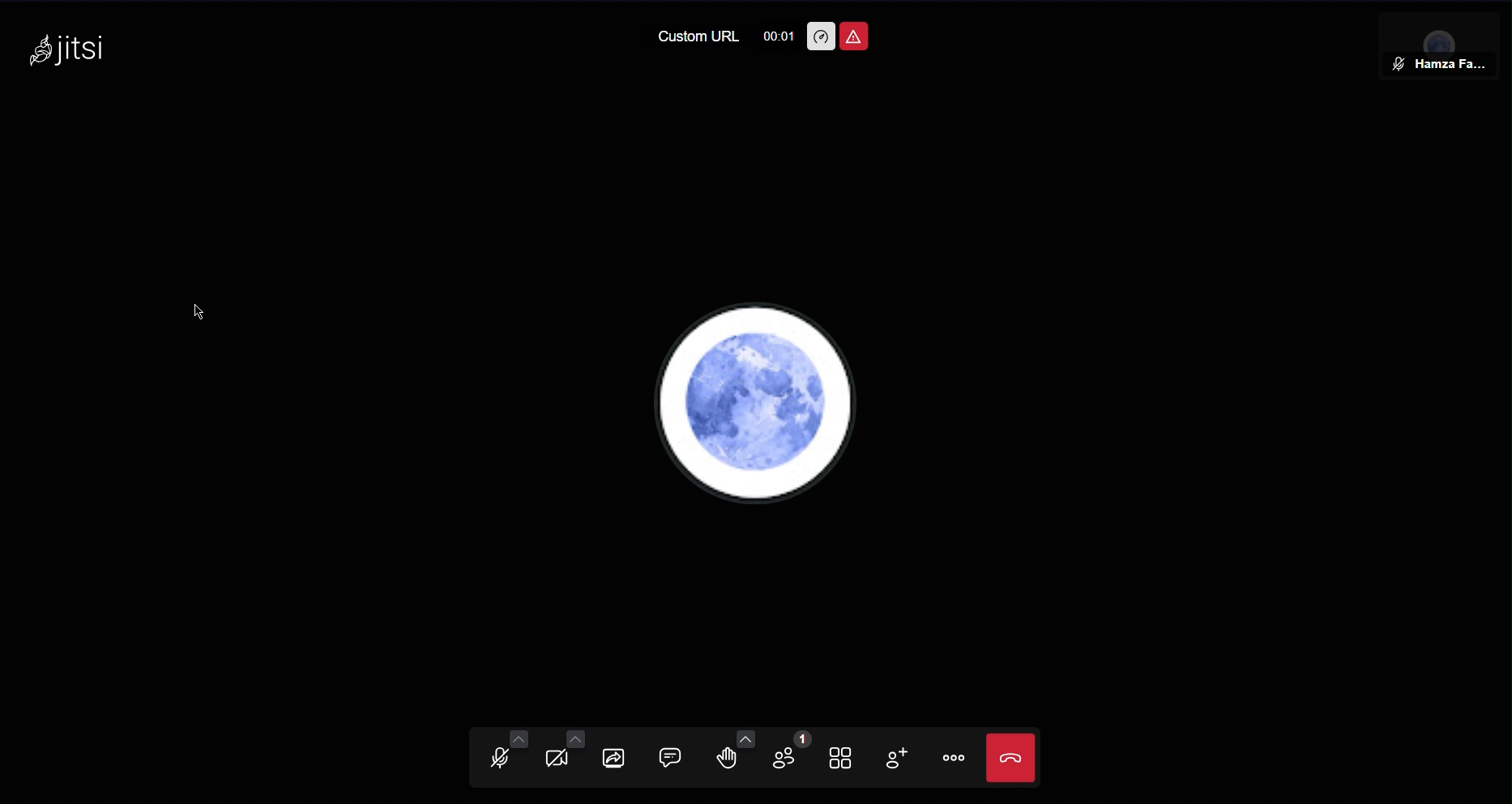 The width and height of the screenshot is (1512, 804). What do you see at coordinates (905, 760) in the screenshot?
I see `Add Participant` at bounding box center [905, 760].